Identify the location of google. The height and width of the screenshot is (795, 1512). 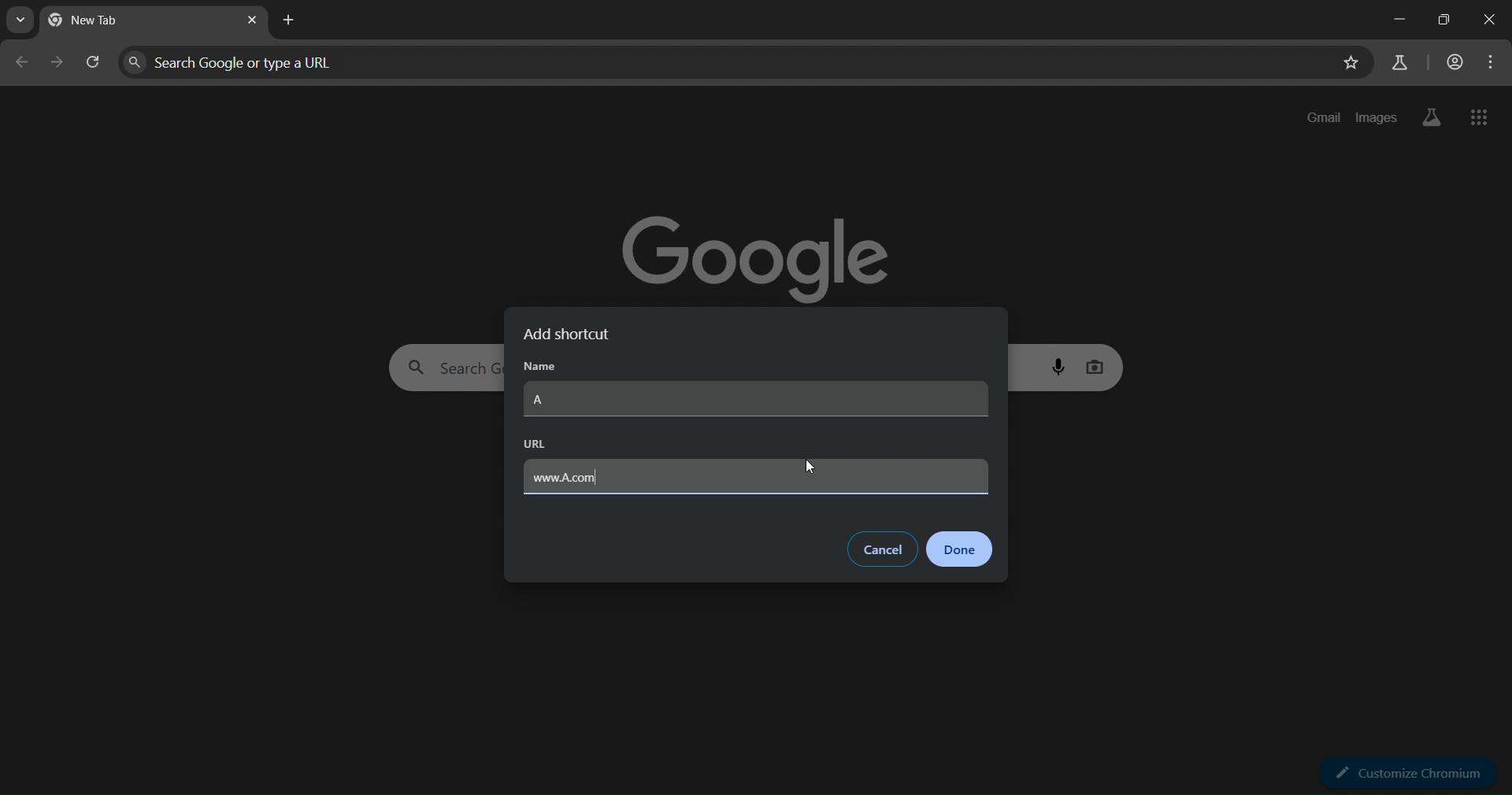
(762, 250).